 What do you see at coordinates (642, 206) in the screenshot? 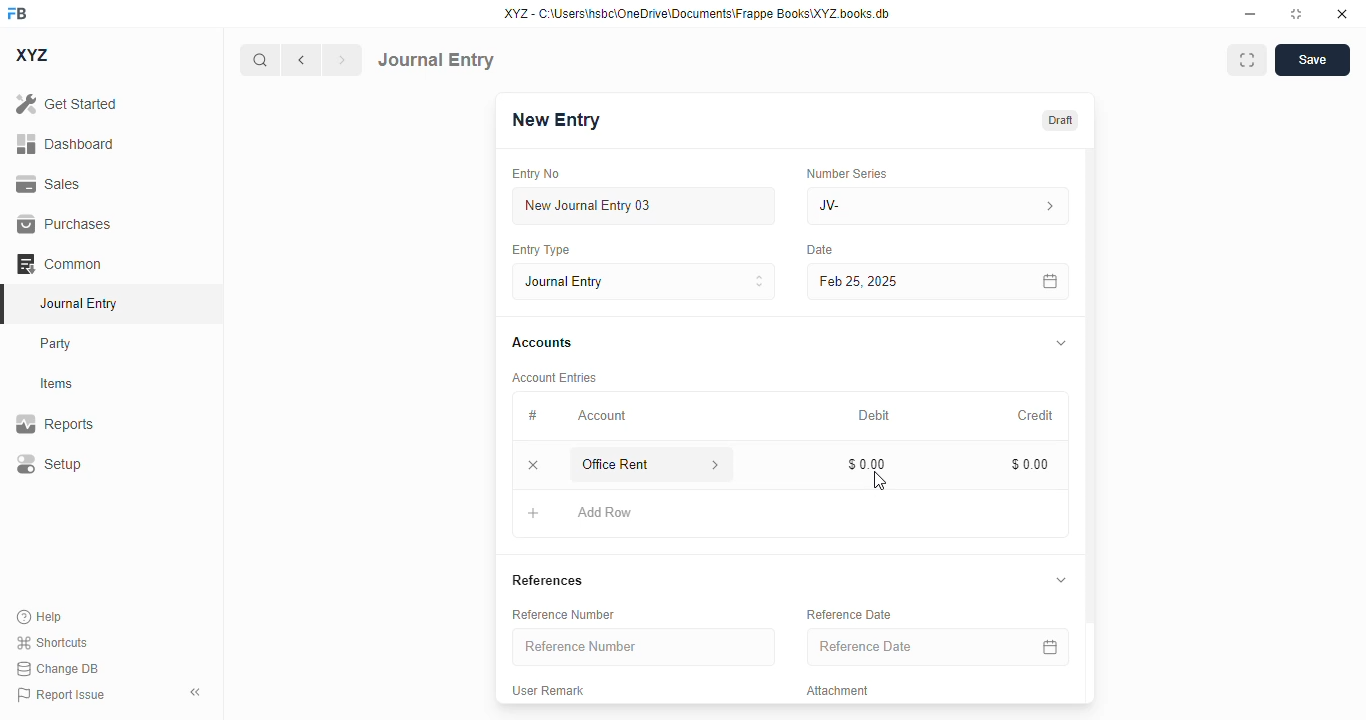
I see `new journal entry 03` at bounding box center [642, 206].